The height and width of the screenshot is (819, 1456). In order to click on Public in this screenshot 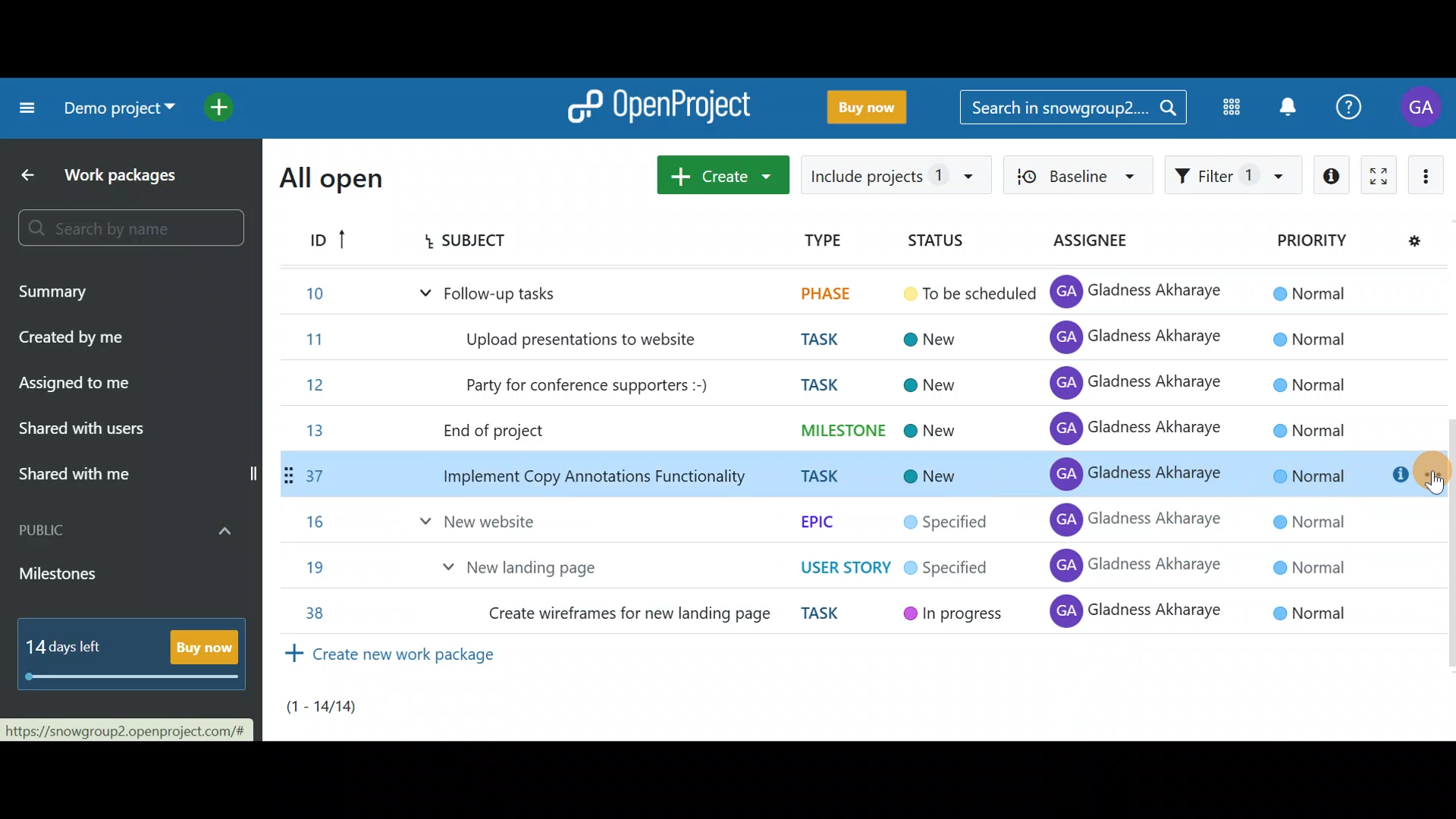, I will do `click(127, 531)`.